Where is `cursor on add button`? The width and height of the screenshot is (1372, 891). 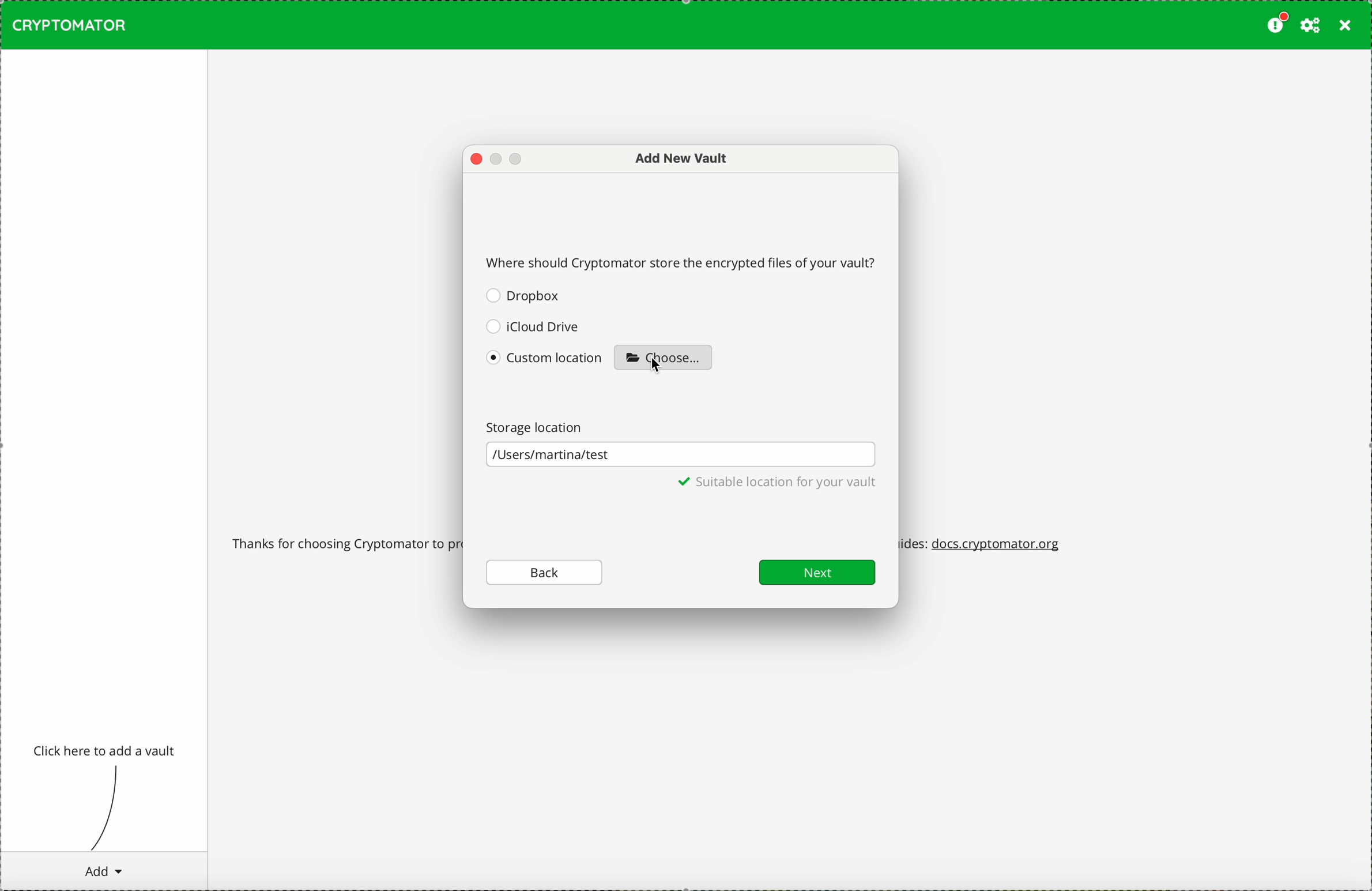
cursor on add button is located at coordinates (103, 871).